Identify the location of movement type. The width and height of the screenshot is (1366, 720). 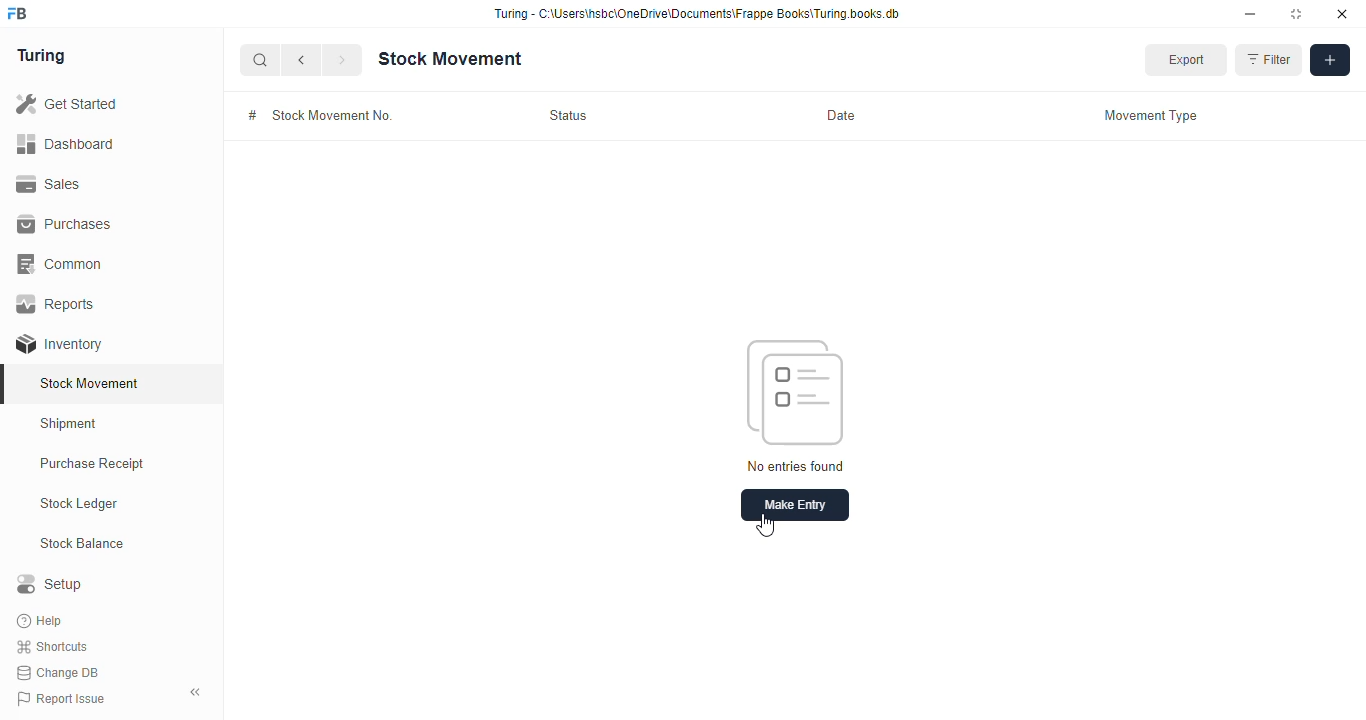
(1151, 116).